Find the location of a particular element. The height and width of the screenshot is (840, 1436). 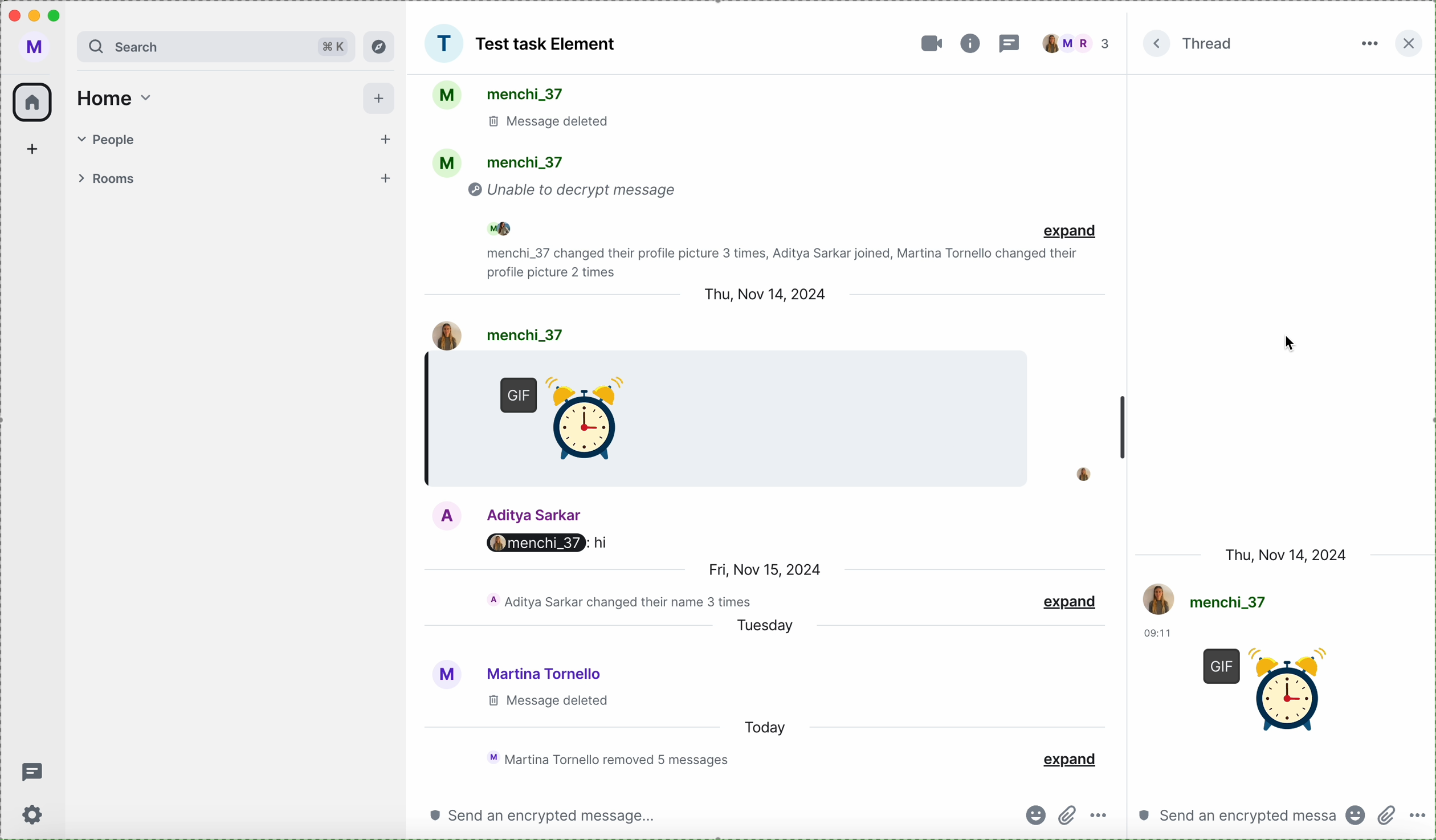

emojis is located at coordinates (1356, 818).